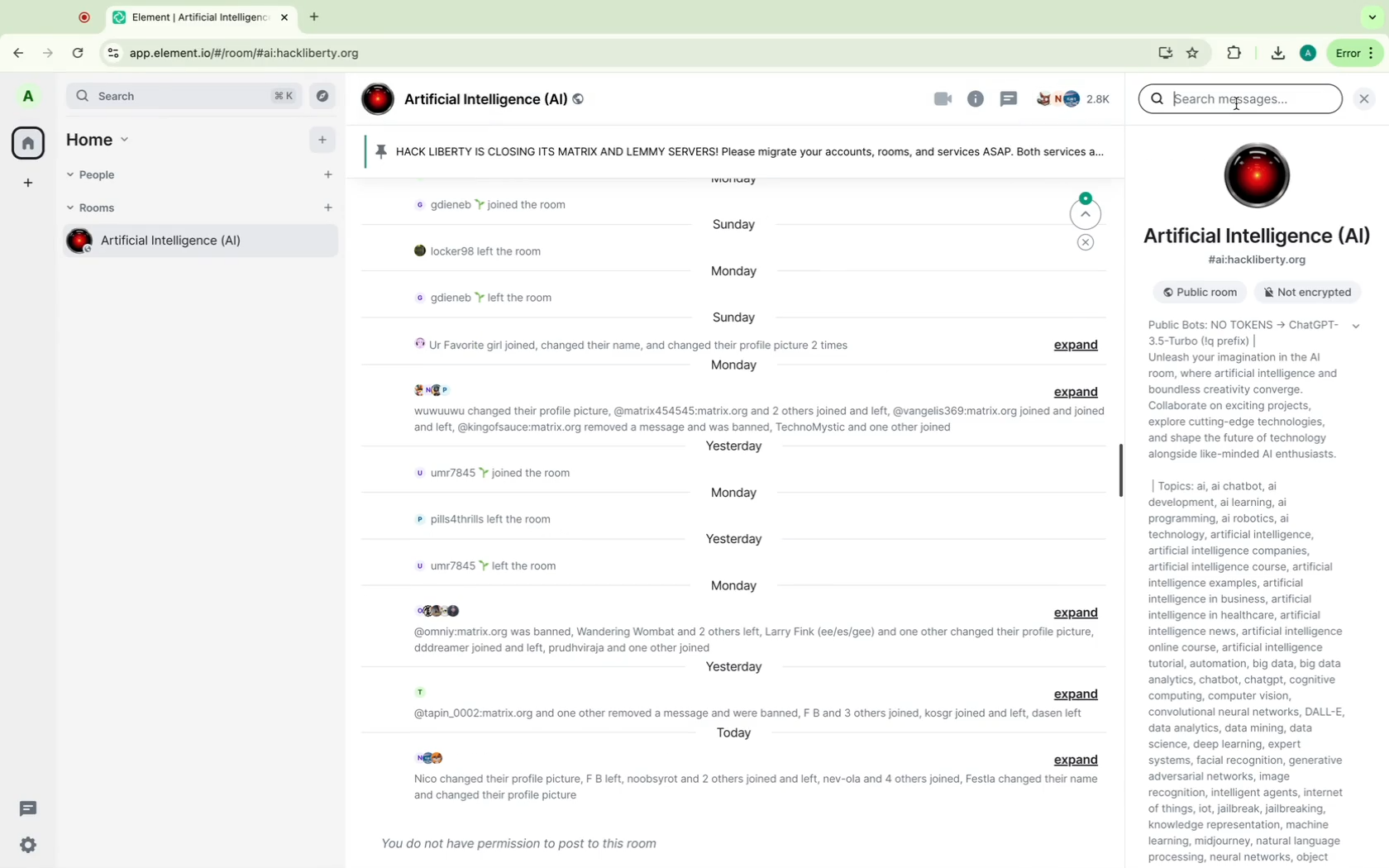  I want to click on google profile picture, so click(1307, 53).